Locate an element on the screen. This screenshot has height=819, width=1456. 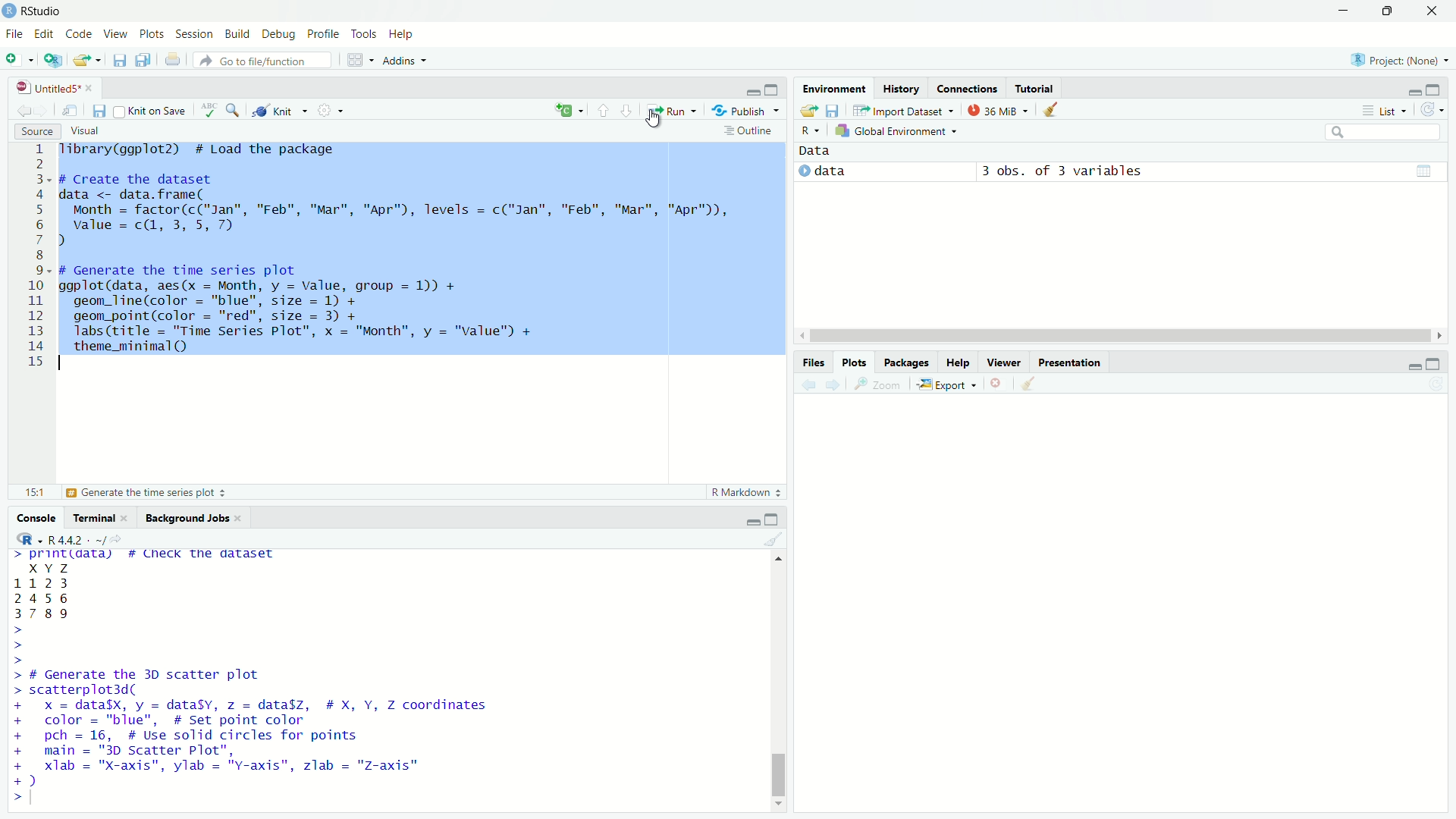
tools is located at coordinates (366, 35).